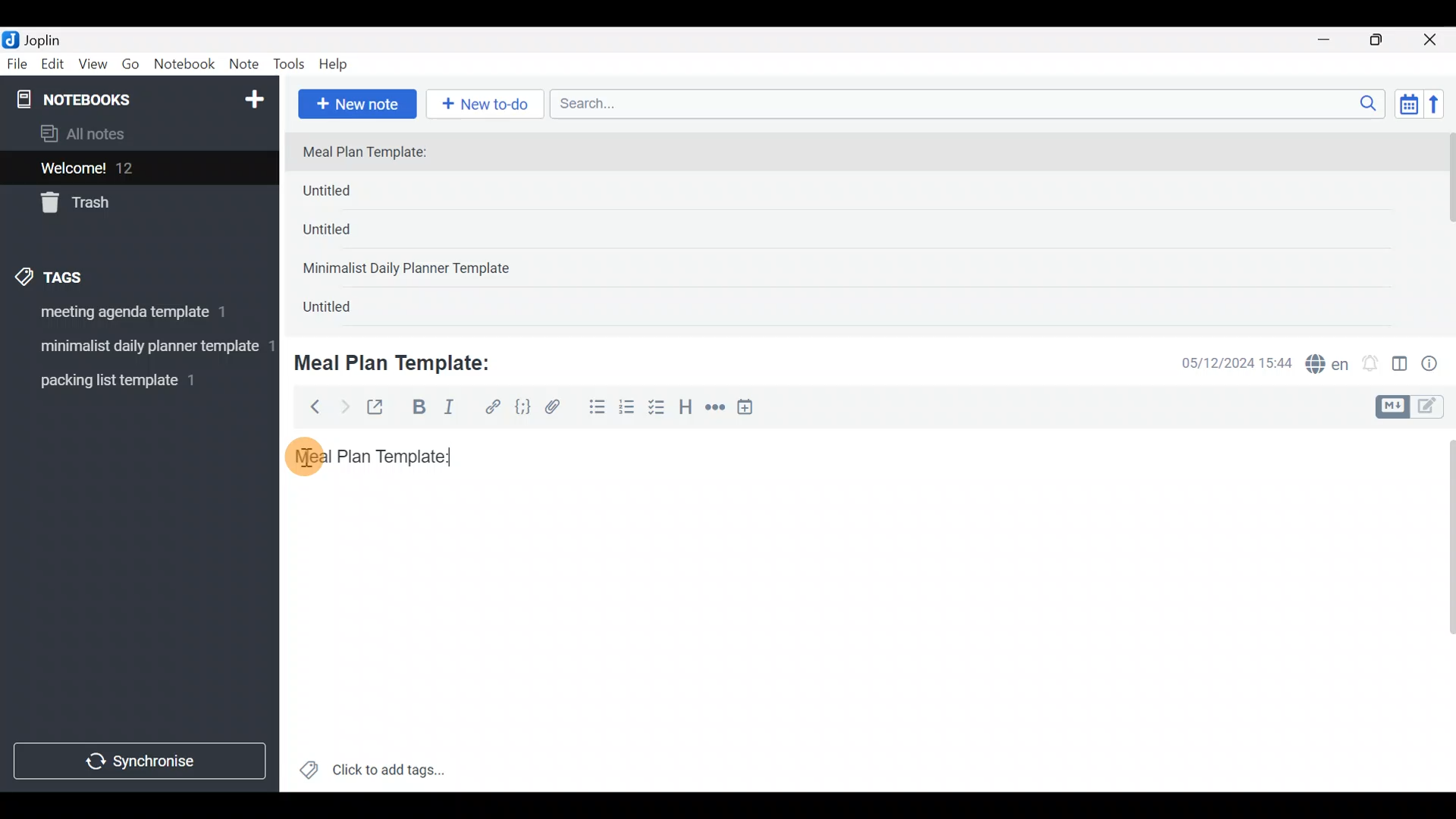 Image resolution: width=1456 pixels, height=819 pixels. Describe the element at coordinates (93, 67) in the screenshot. I see `View` at that location.